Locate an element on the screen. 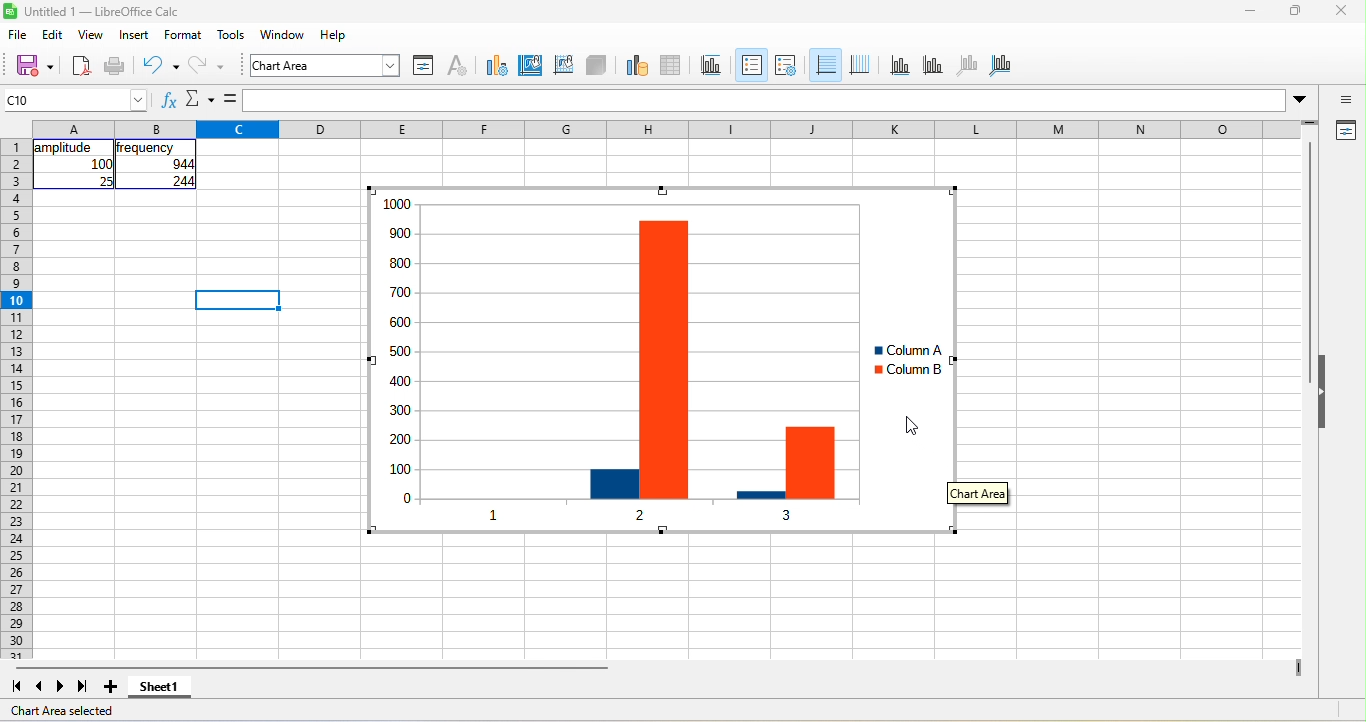 The image size is (1366, 722). Chart area is located at coordinates (978, 493).